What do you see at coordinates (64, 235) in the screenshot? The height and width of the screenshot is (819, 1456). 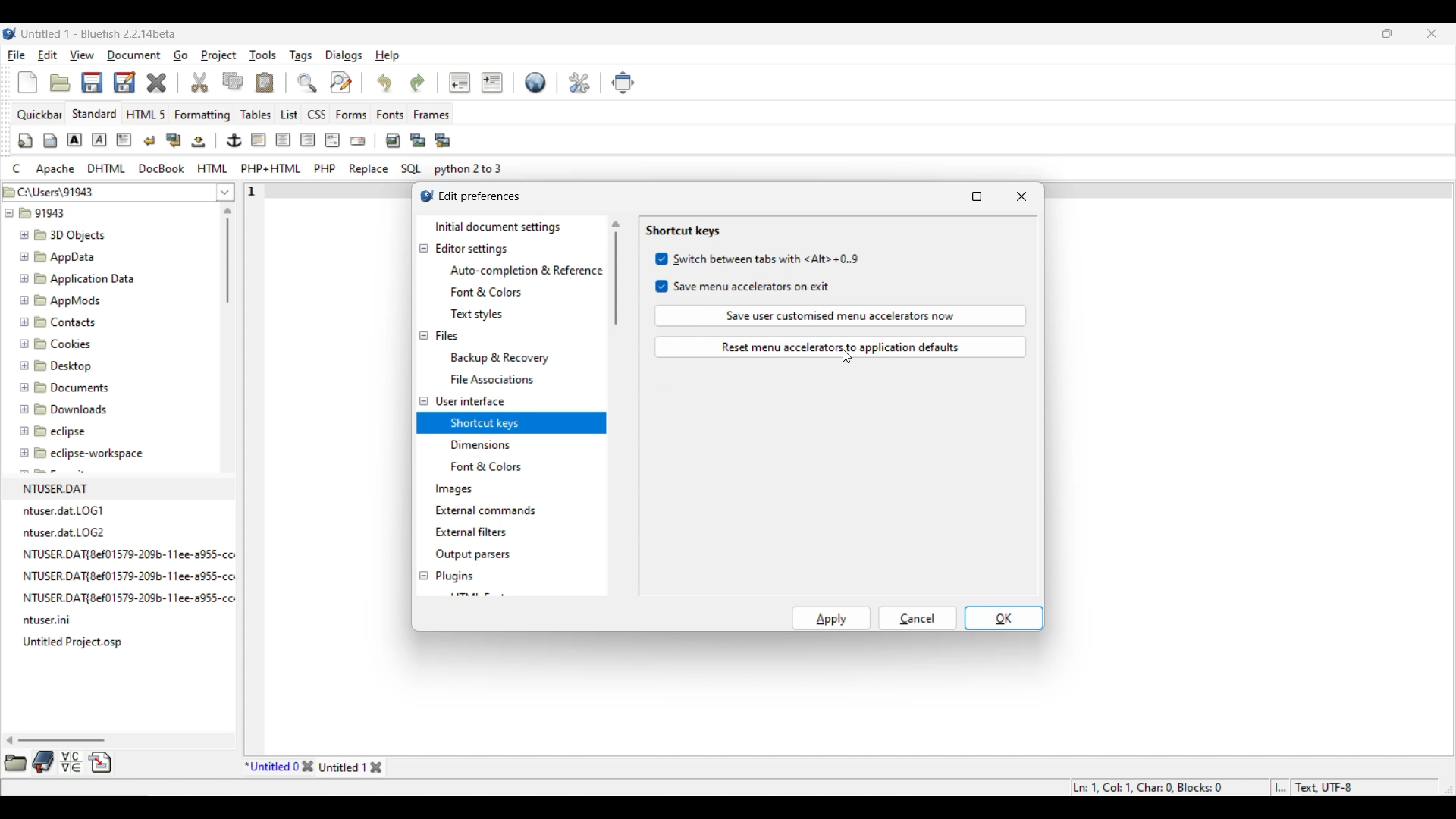 I see `3D Objects` at bounding box center [64, 235].